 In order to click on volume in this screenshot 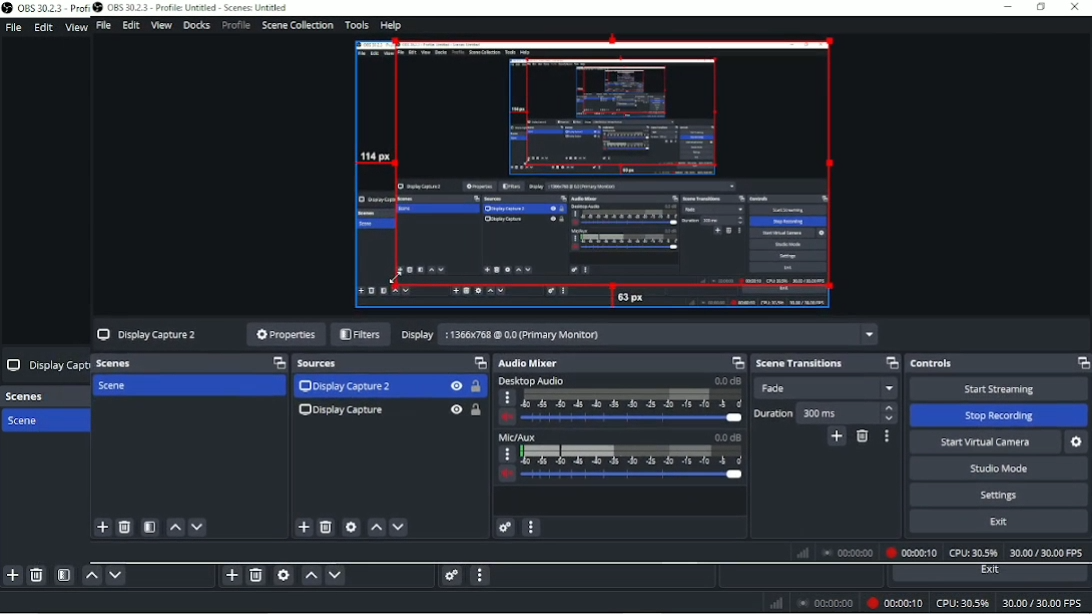, I will do `click(503, 475)`.